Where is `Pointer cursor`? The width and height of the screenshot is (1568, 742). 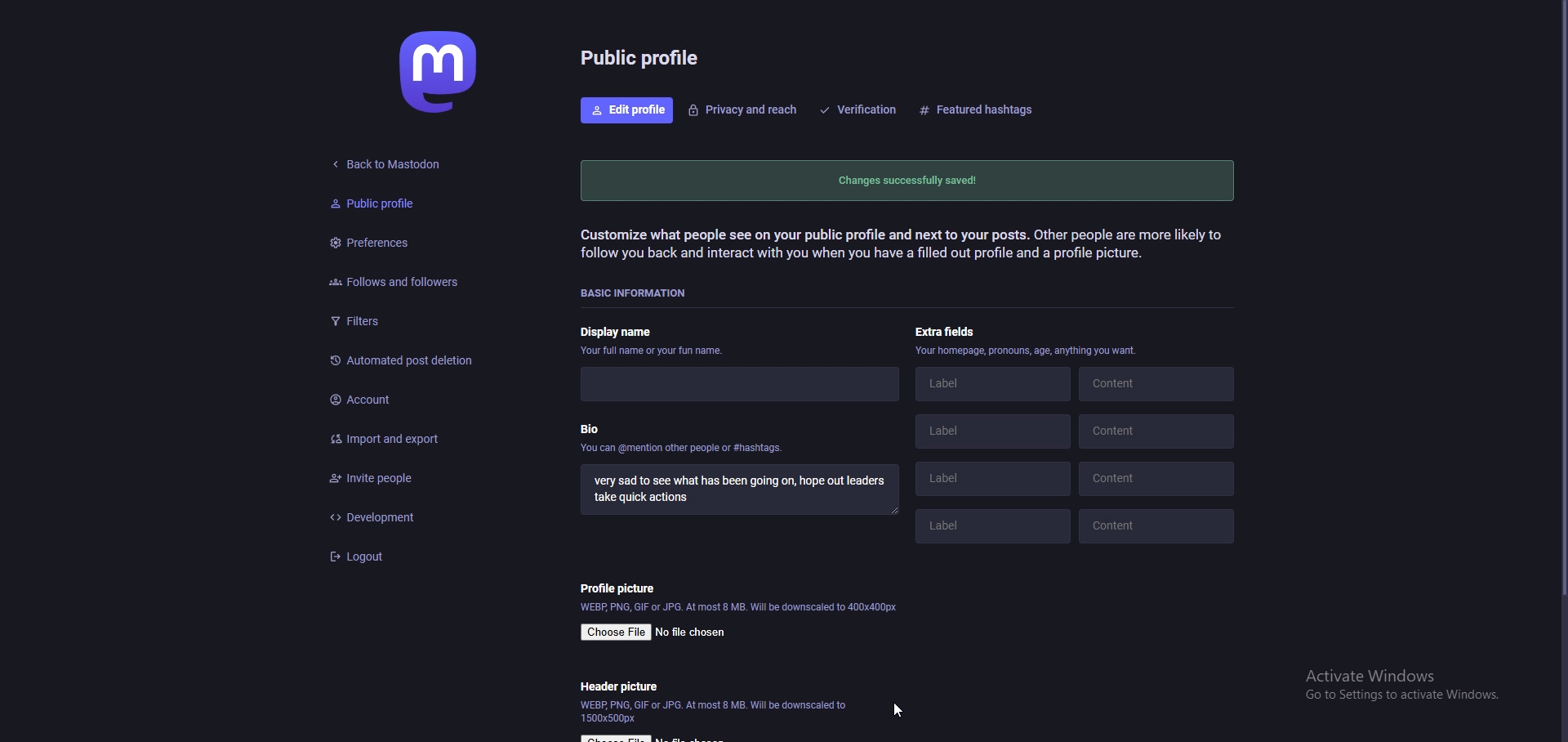 Pointer cursor is located at coordinates (899, 711).